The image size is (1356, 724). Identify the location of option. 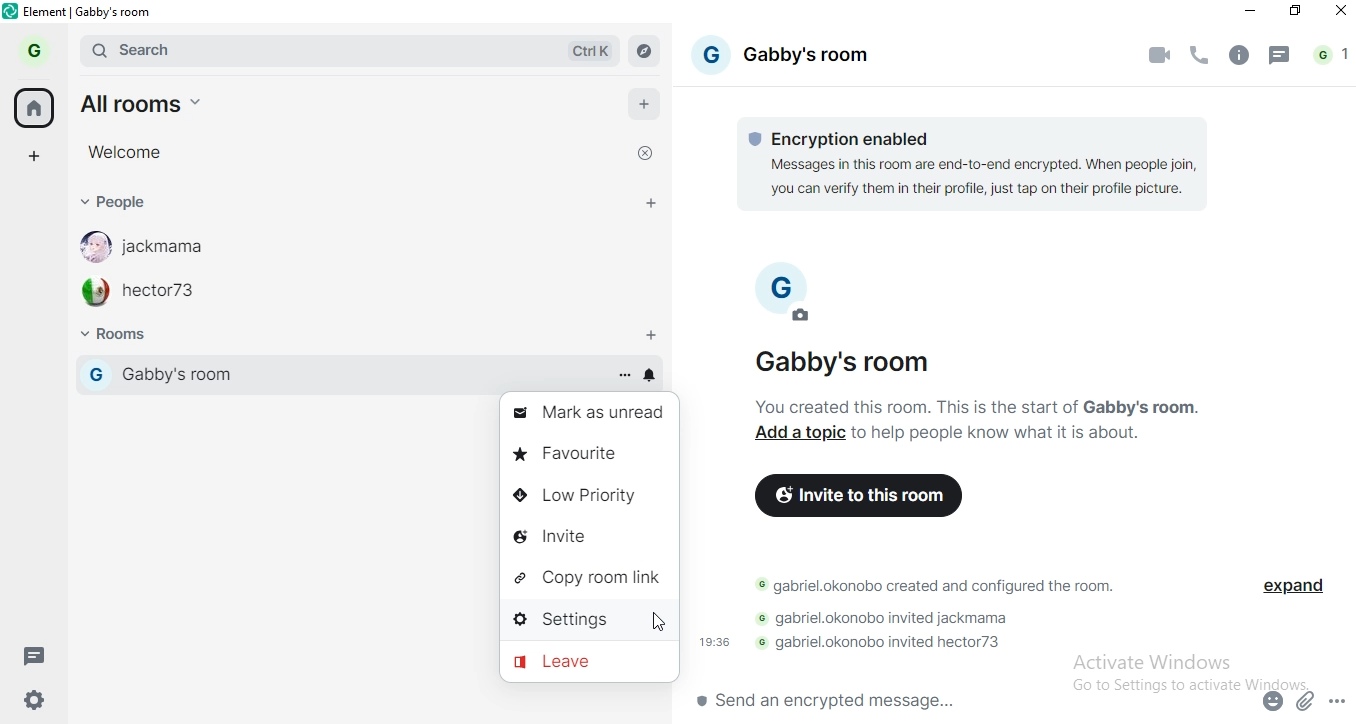
(624, 376).